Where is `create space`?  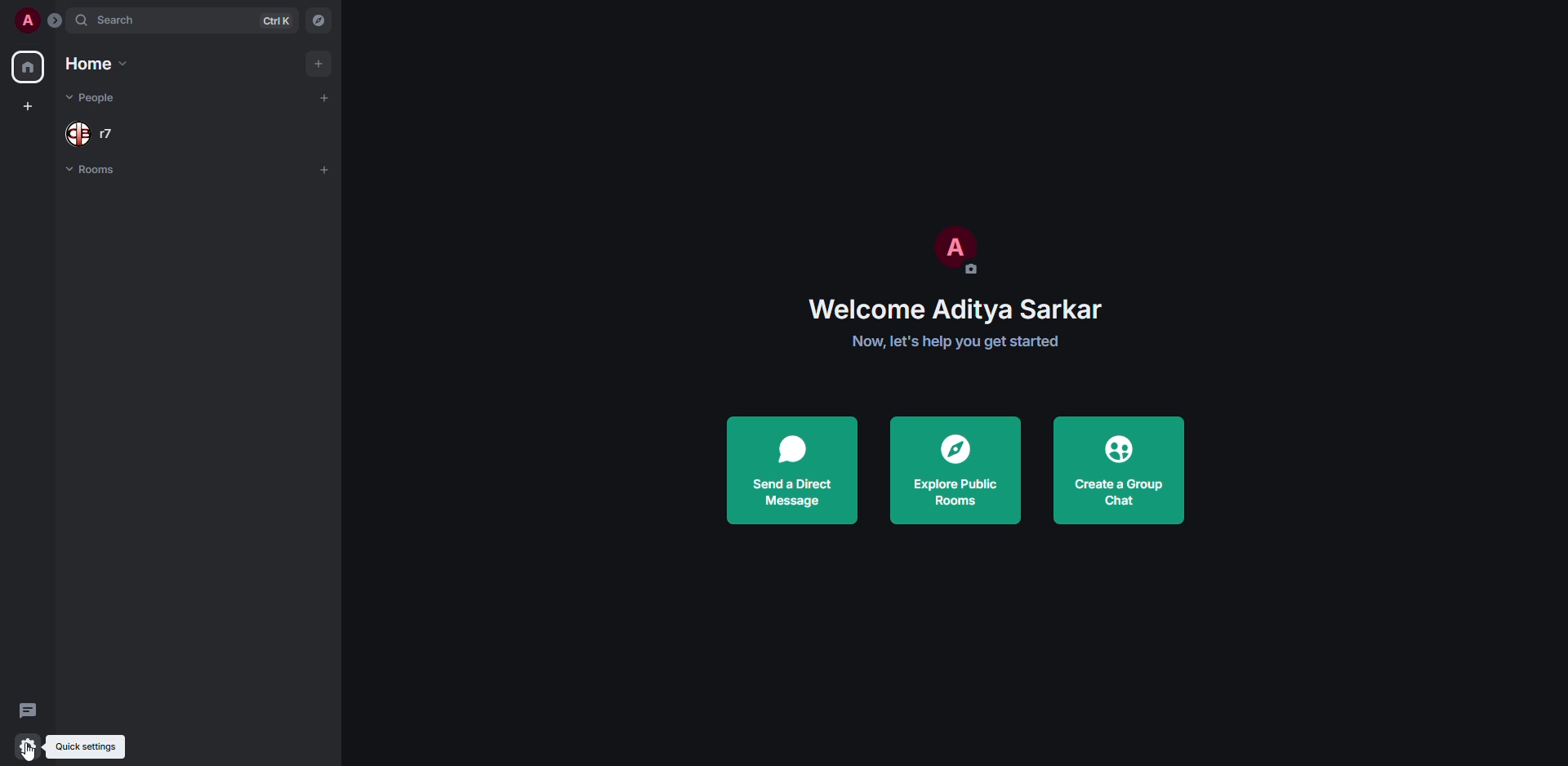 create space is located at coordinates (28, 108).